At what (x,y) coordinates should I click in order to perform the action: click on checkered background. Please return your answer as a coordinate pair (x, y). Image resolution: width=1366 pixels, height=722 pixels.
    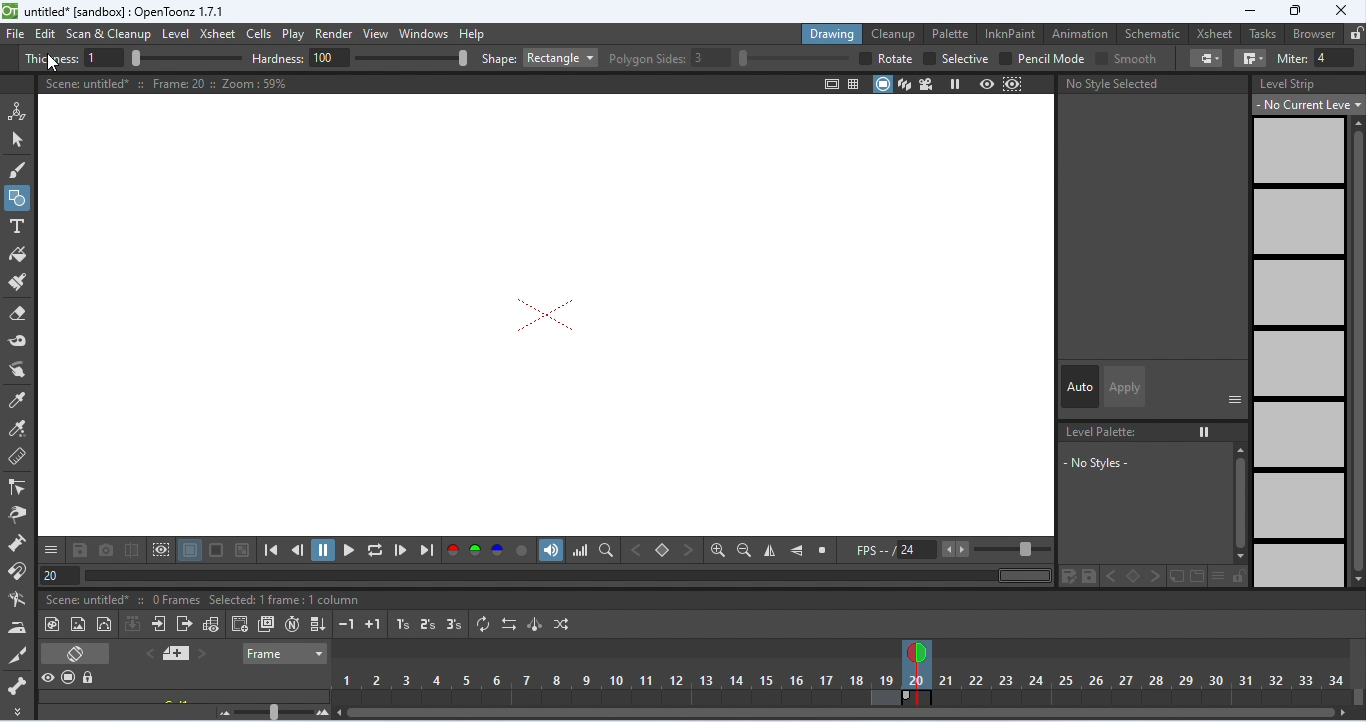
    Looking at the image, I should click on (241, 550).